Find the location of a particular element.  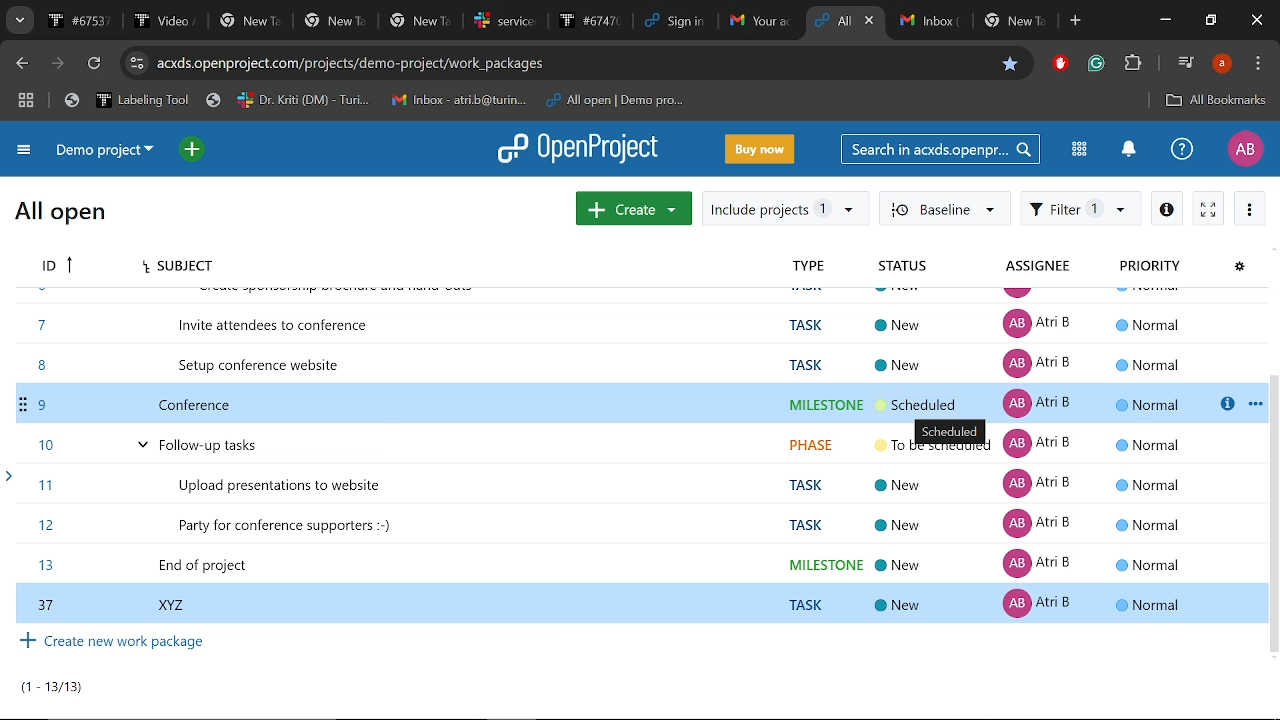

Expand projrct menu is located at coordinates (25, 151).